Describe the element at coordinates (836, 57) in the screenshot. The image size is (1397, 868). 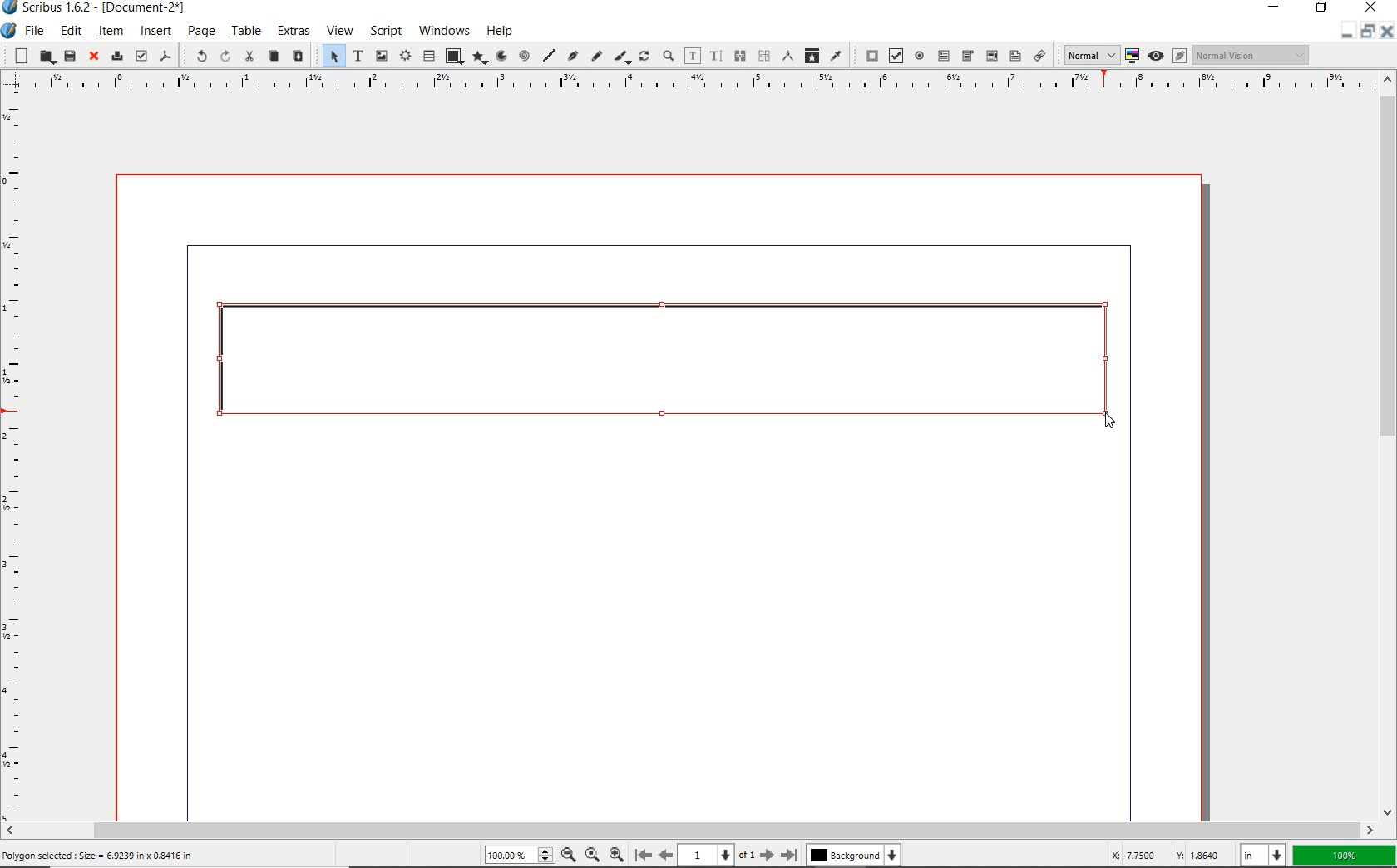
I see `eye dropper` at that location.